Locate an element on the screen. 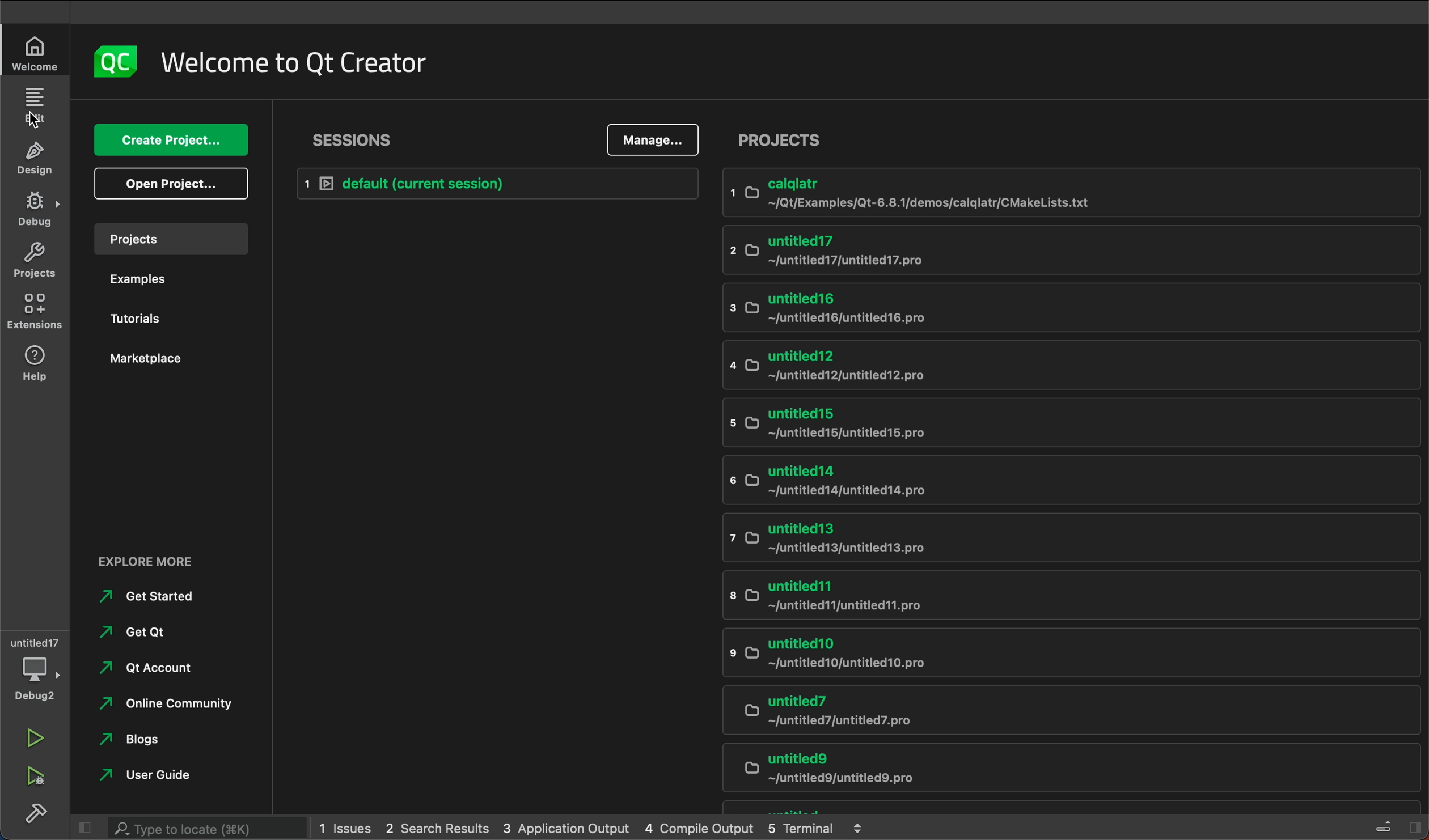  untitled11 is located at coordinates (1051, 596).